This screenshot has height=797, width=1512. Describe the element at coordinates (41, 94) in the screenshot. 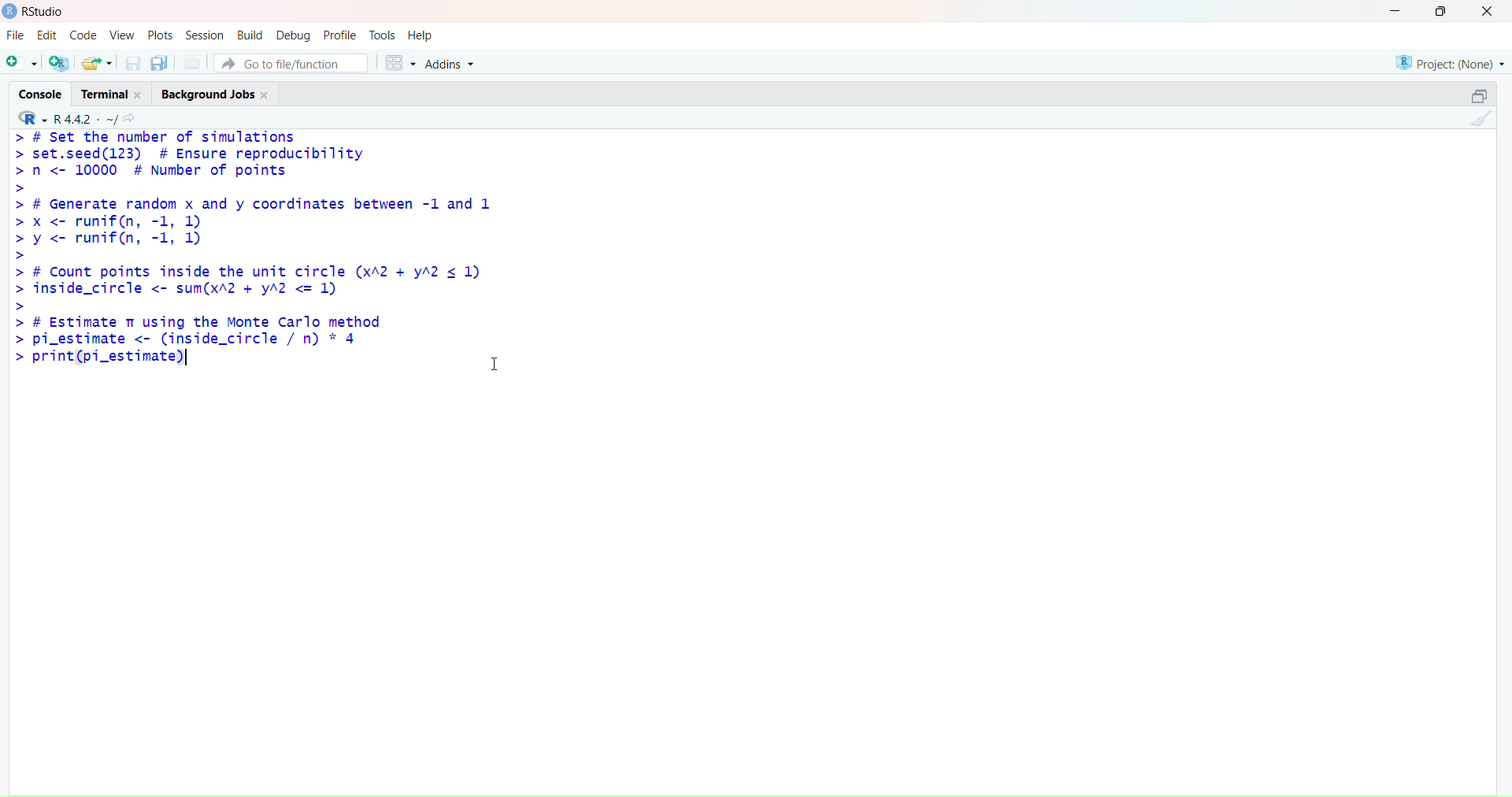

I see `Console` at that location.